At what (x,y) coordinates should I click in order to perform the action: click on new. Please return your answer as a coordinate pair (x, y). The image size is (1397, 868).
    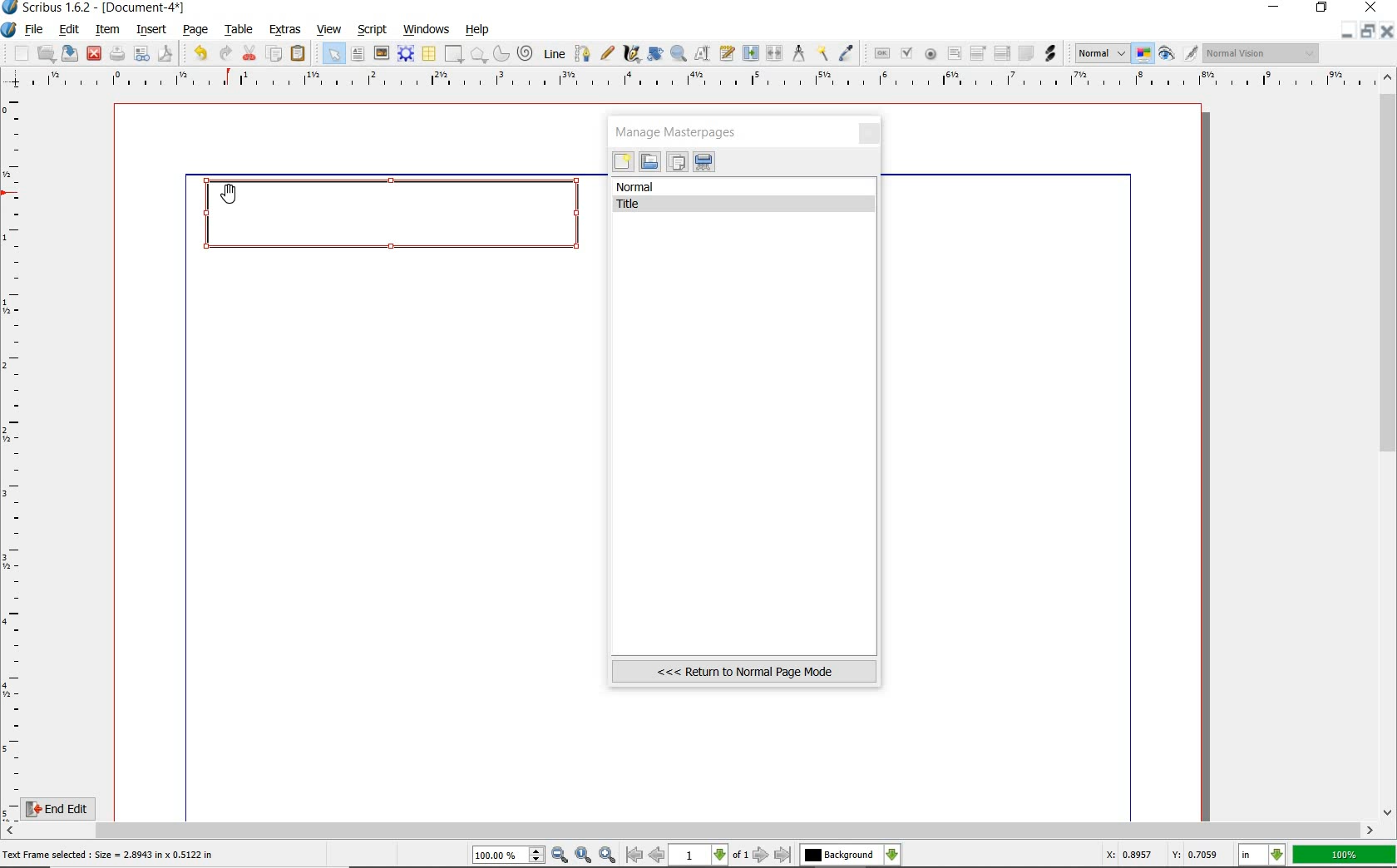
    Looking at the image, I should click on (16, 53).